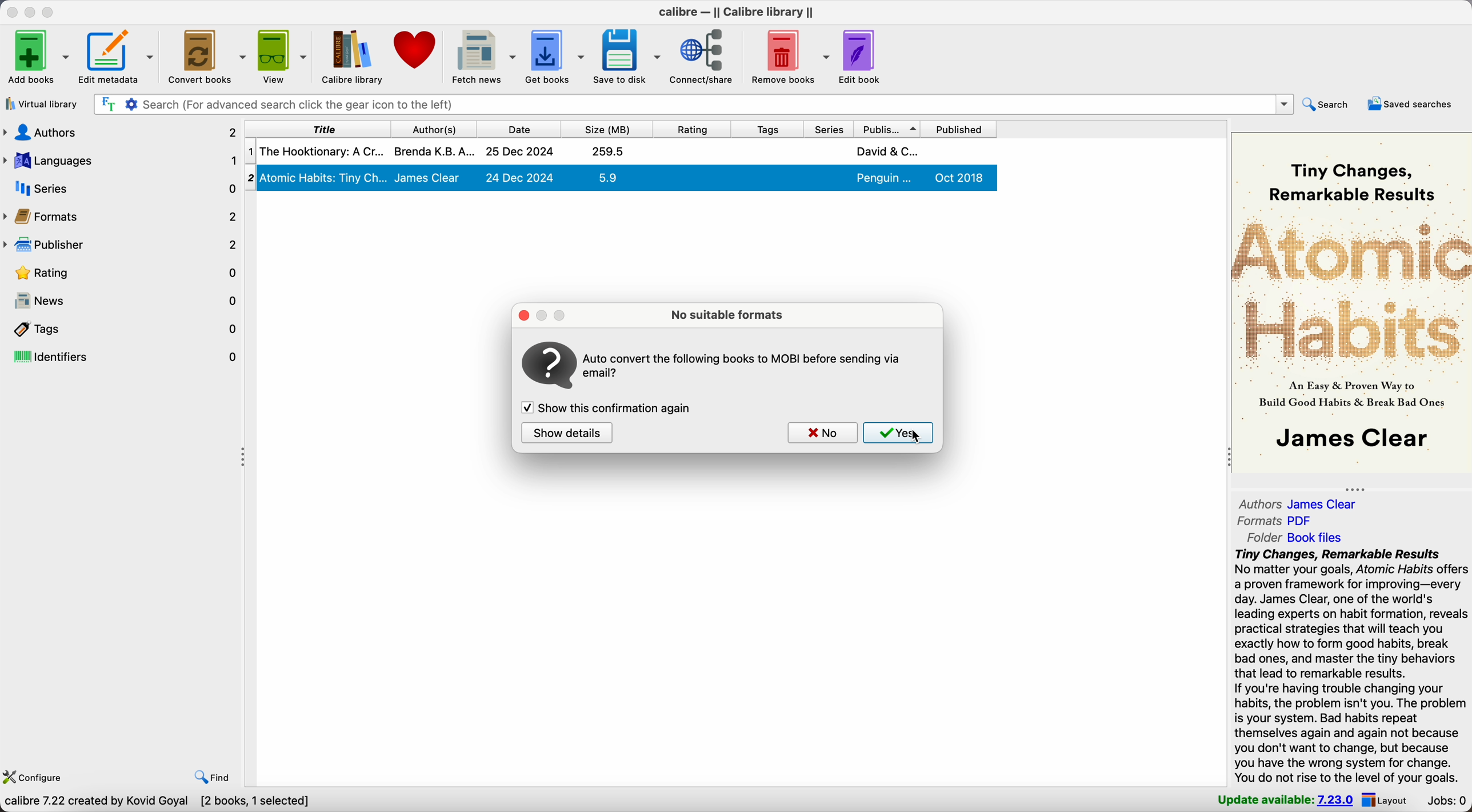  I want to click on minimize, so click(30, 11).